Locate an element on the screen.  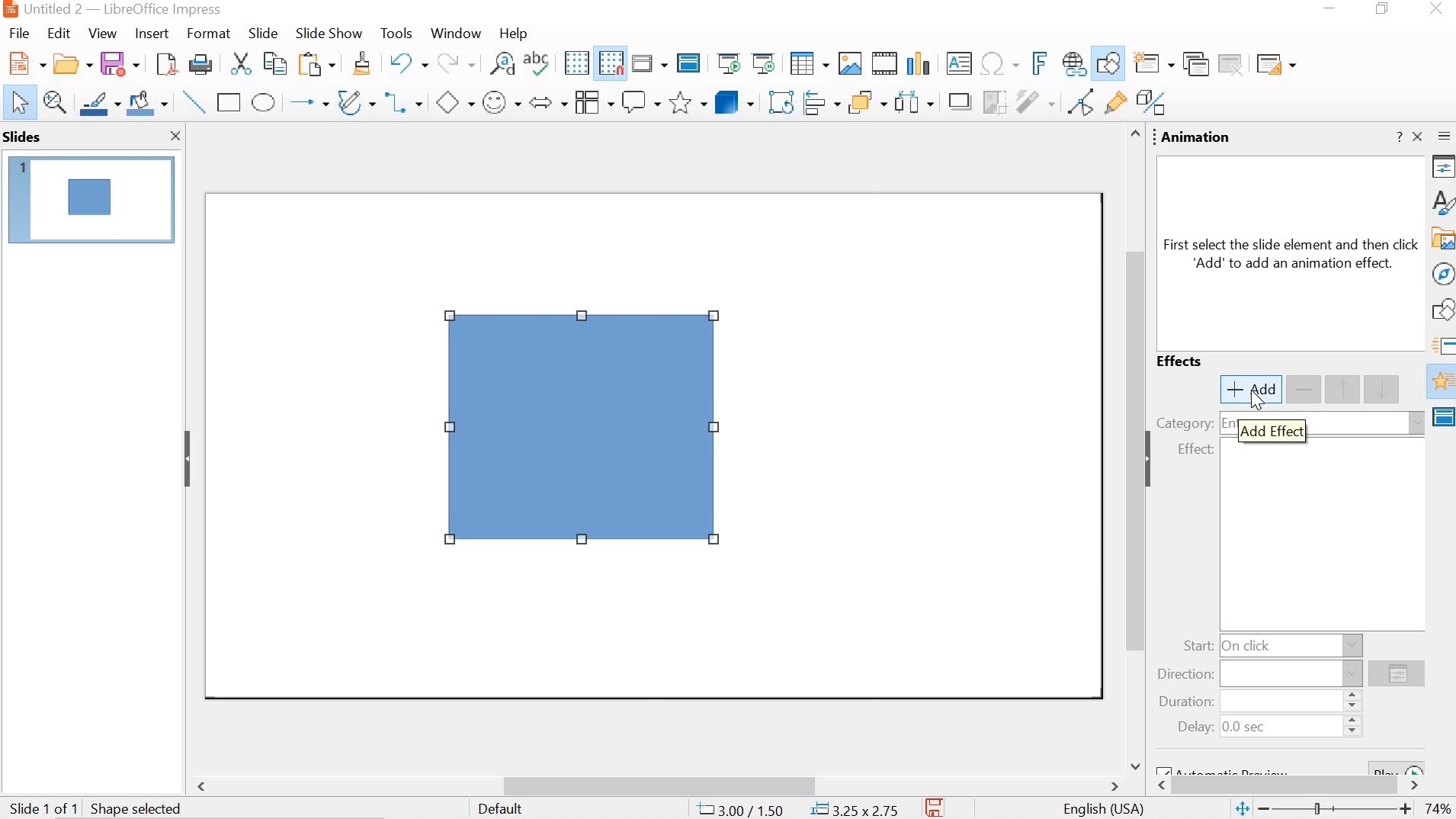
move up effects is located at coordinates (1367, 388).